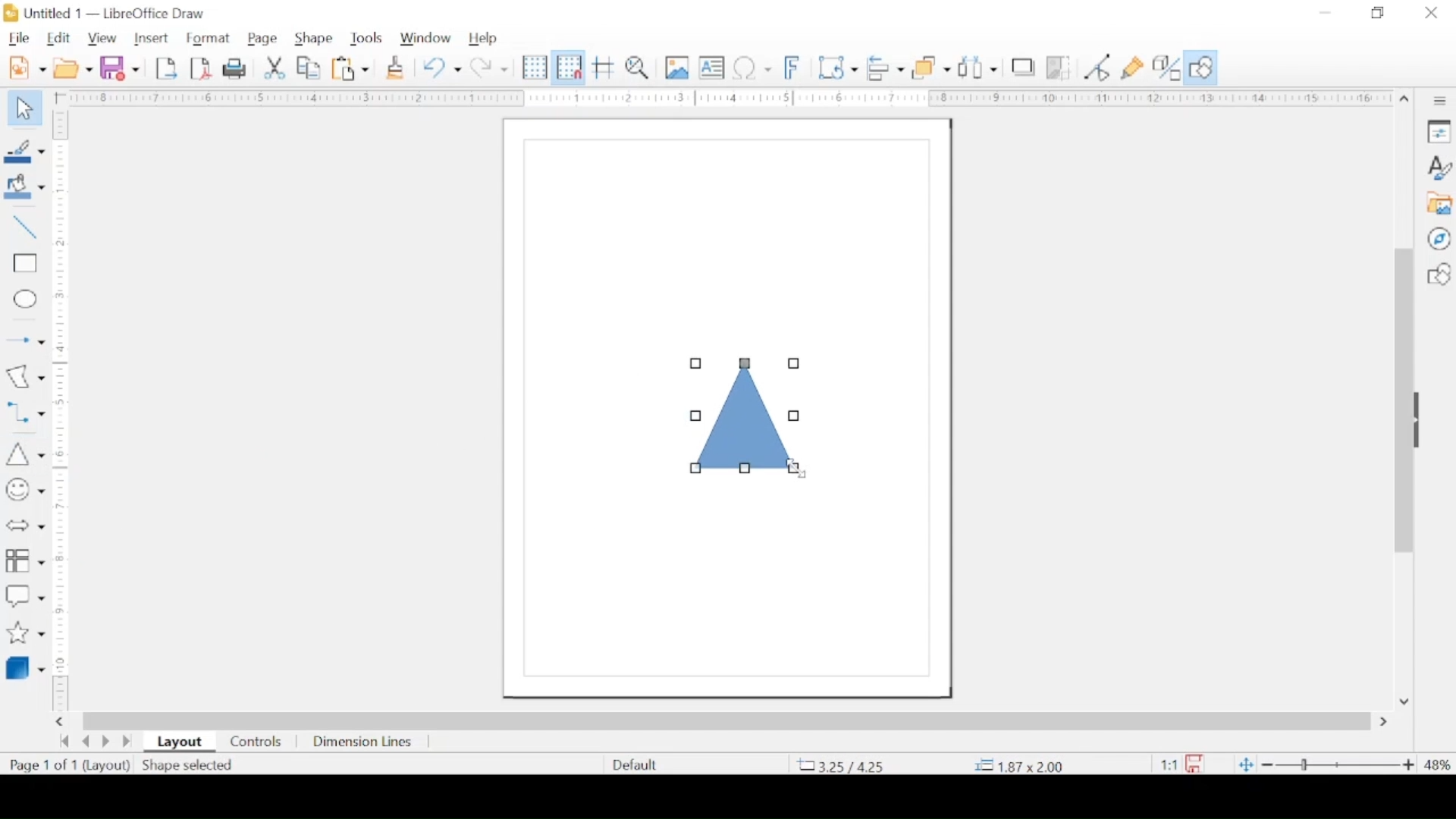  Describe the element at coordinates (86, 742) in the screenshot. I see `previous page` at that location.